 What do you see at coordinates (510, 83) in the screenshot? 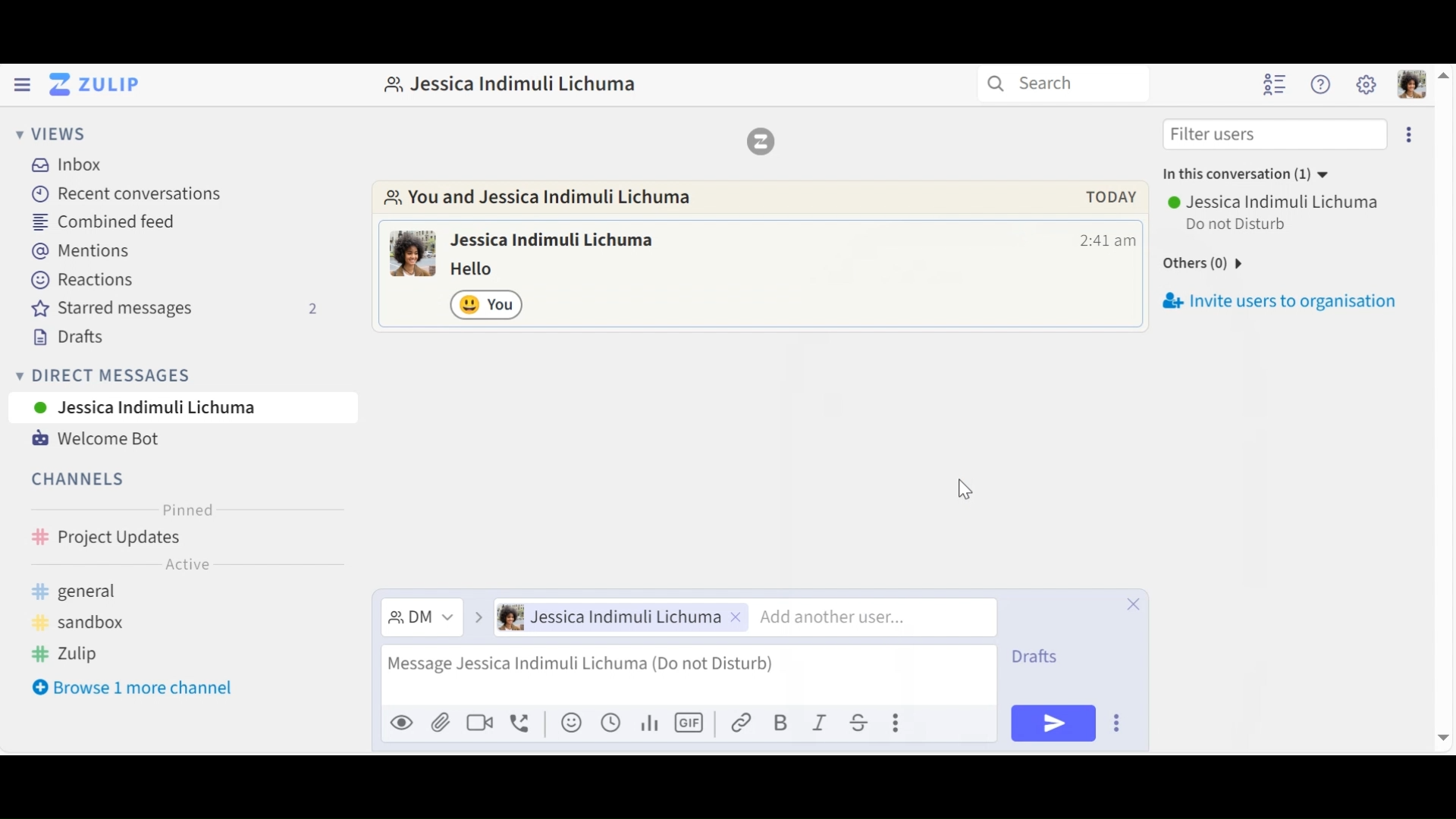
I see `profile name` at bounding box center [510, 83].